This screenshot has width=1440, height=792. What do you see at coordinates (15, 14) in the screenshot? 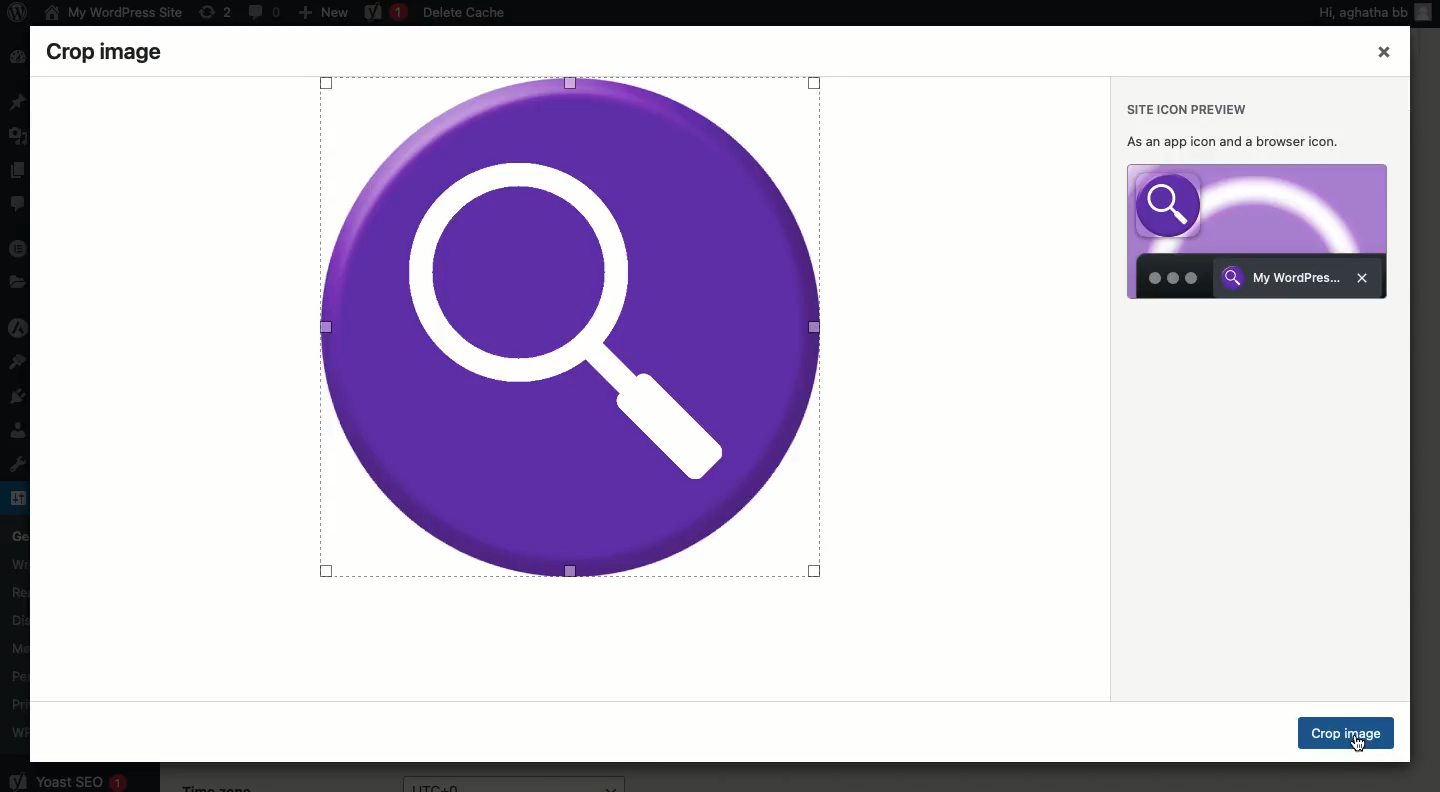
I see `Wordpress Logo` at bounding box center [15, 14].